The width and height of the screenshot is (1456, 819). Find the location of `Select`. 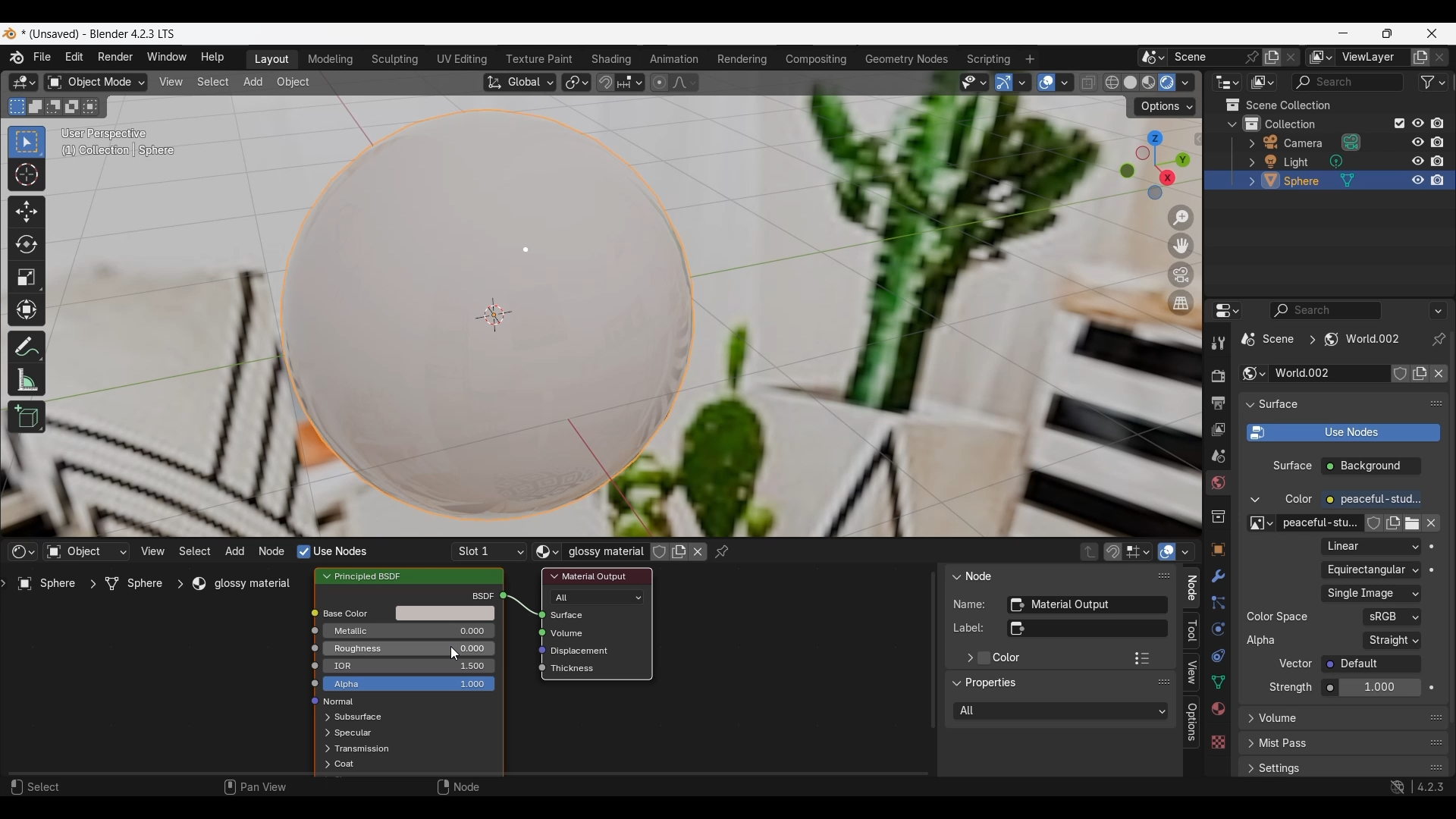

Select is located at coordinates (37, 786).